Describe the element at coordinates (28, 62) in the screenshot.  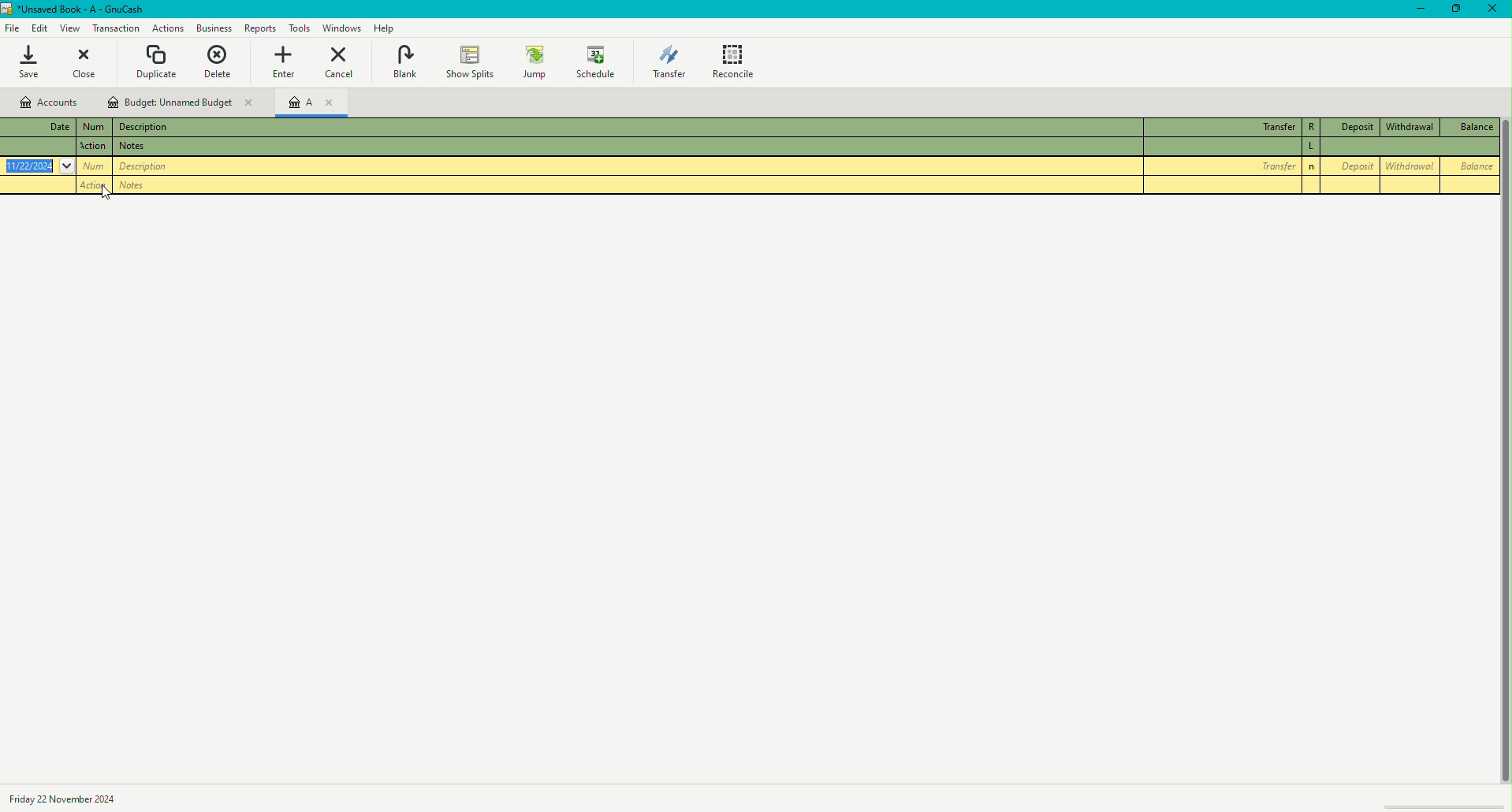
I see `Save` at that location.